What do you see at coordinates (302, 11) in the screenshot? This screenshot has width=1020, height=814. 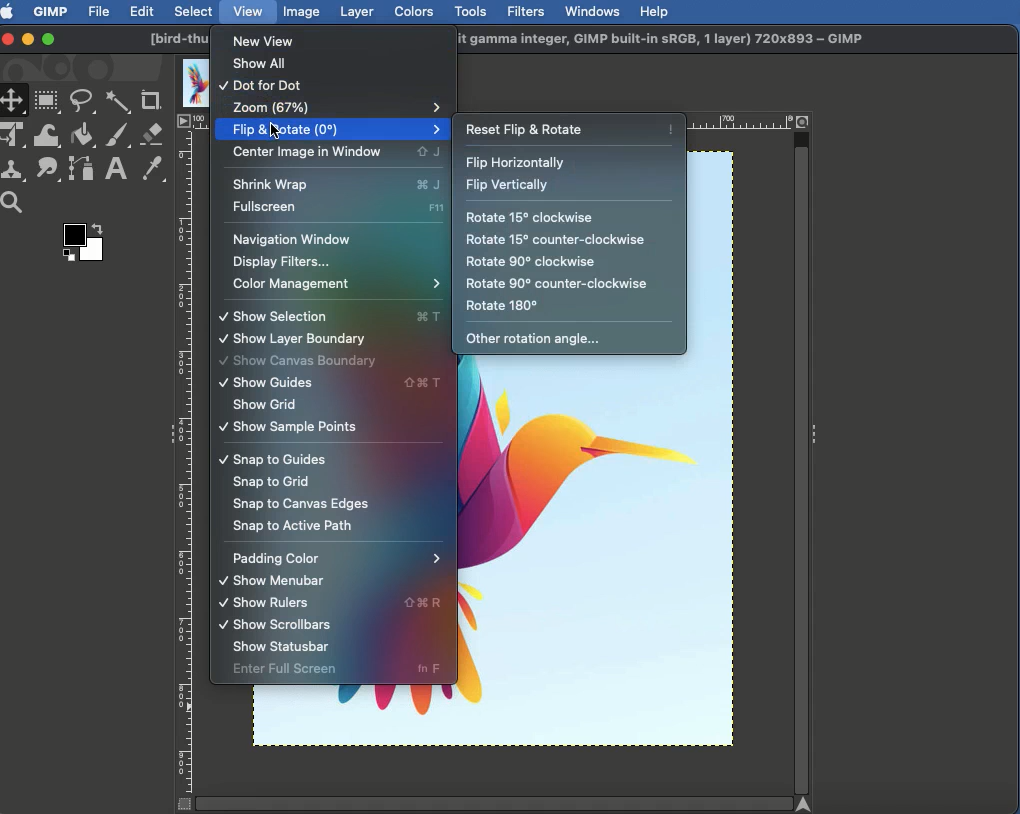 I see `Image` at bounding box center [302, 11].